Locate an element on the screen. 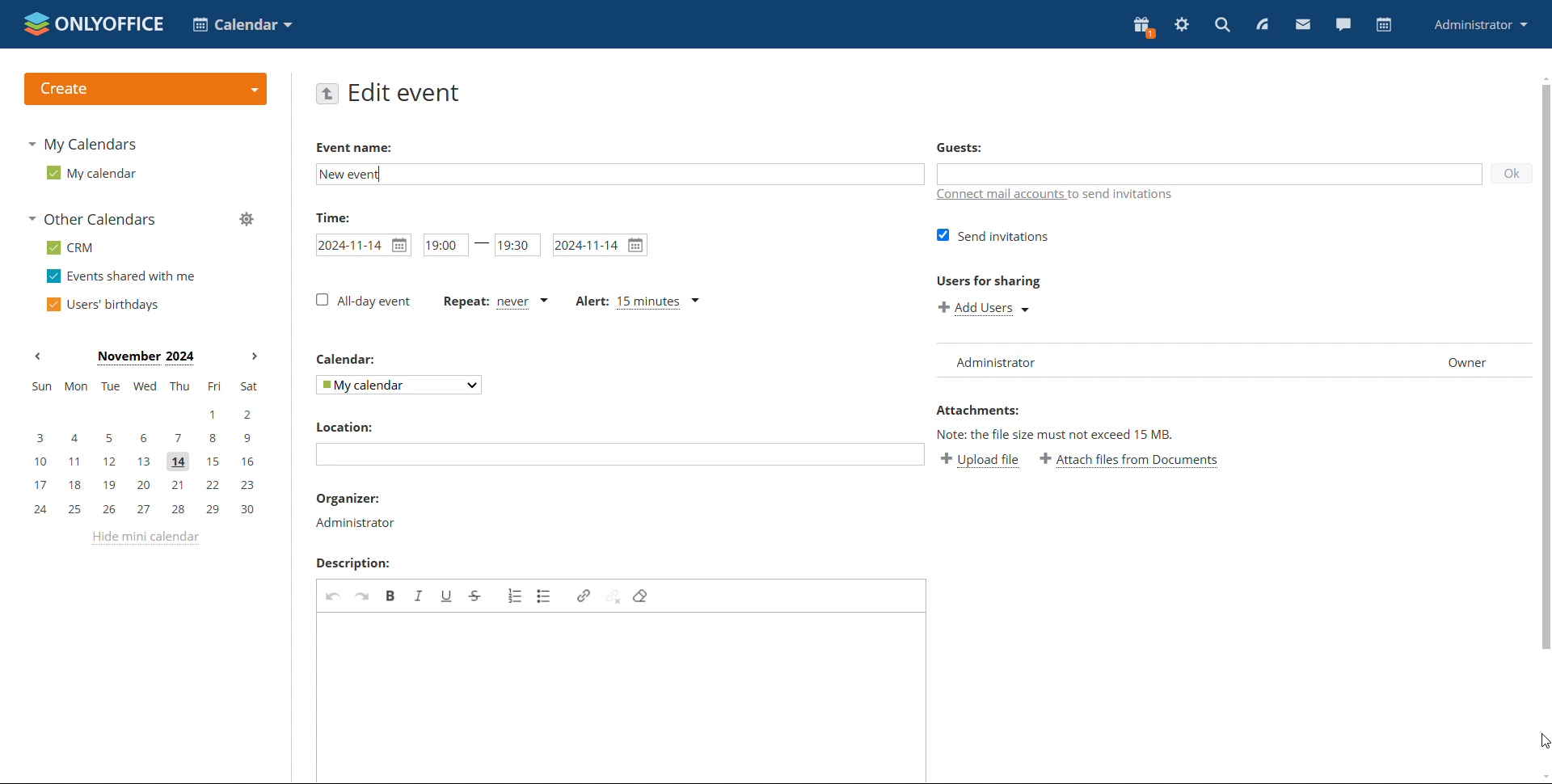  present is located at coordinates (1142, 27).